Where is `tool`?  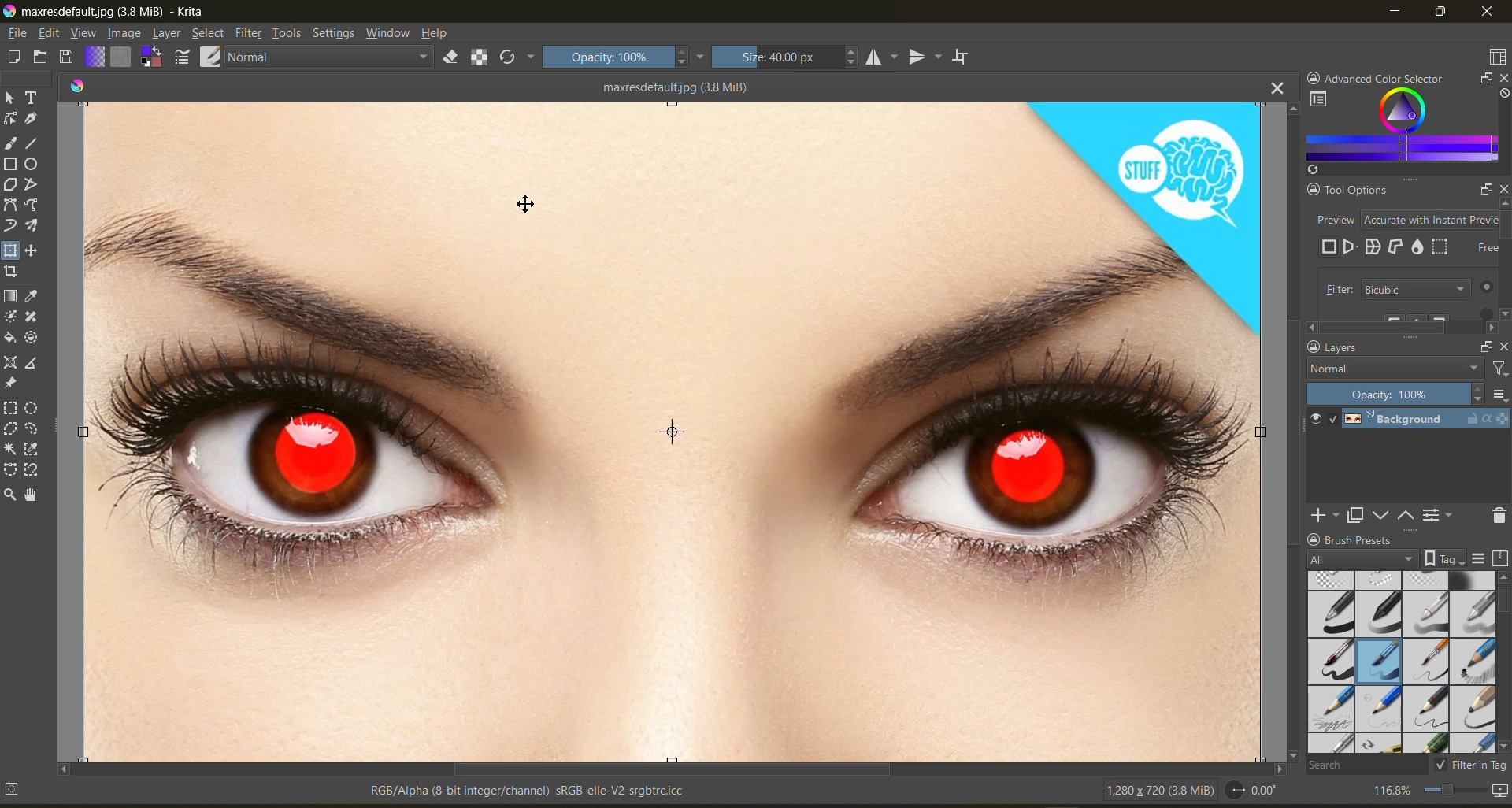 tool is located at coordinates (9, 468).